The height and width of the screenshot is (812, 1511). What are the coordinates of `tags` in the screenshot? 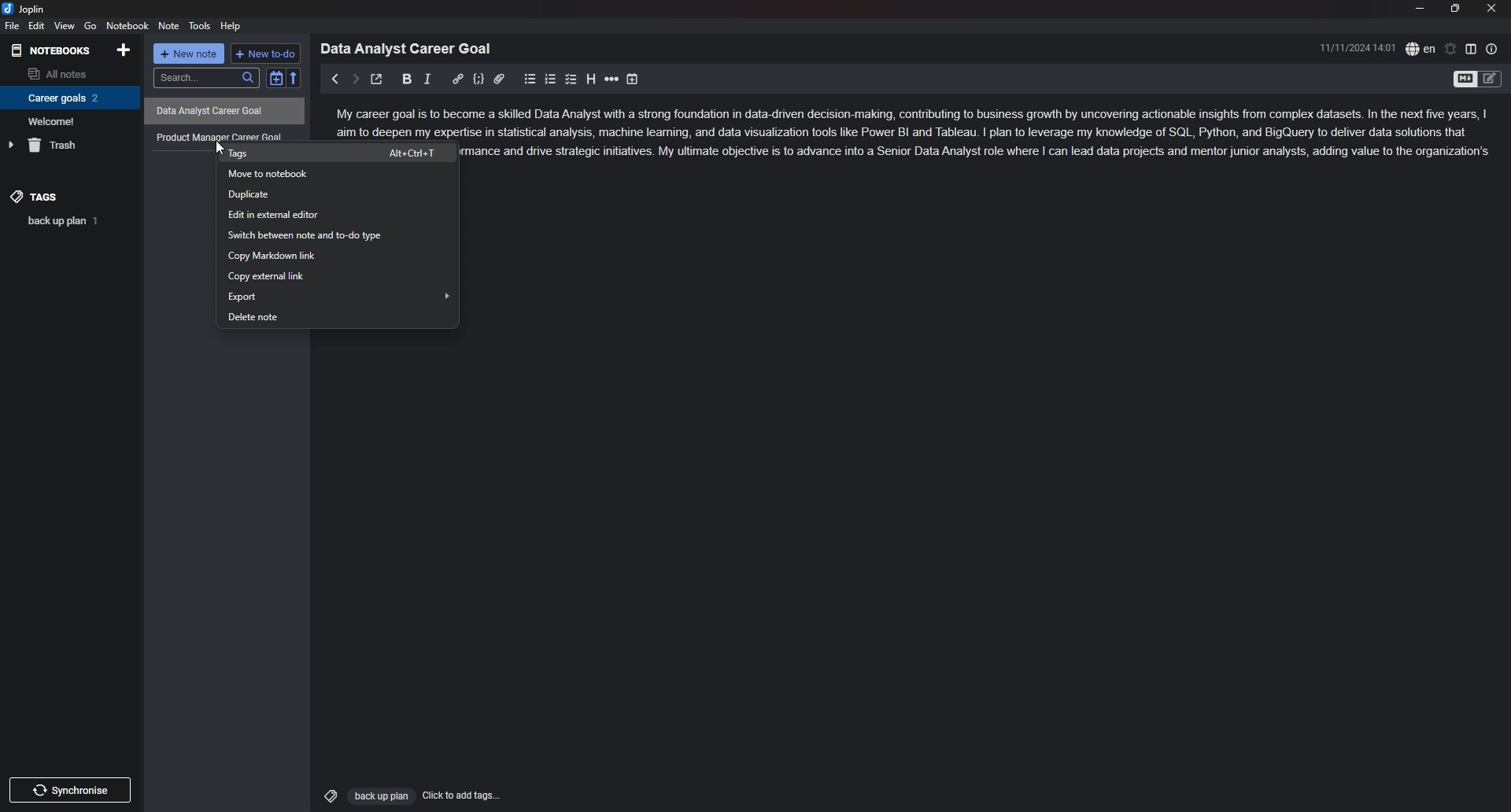 It's located at (332, 153).